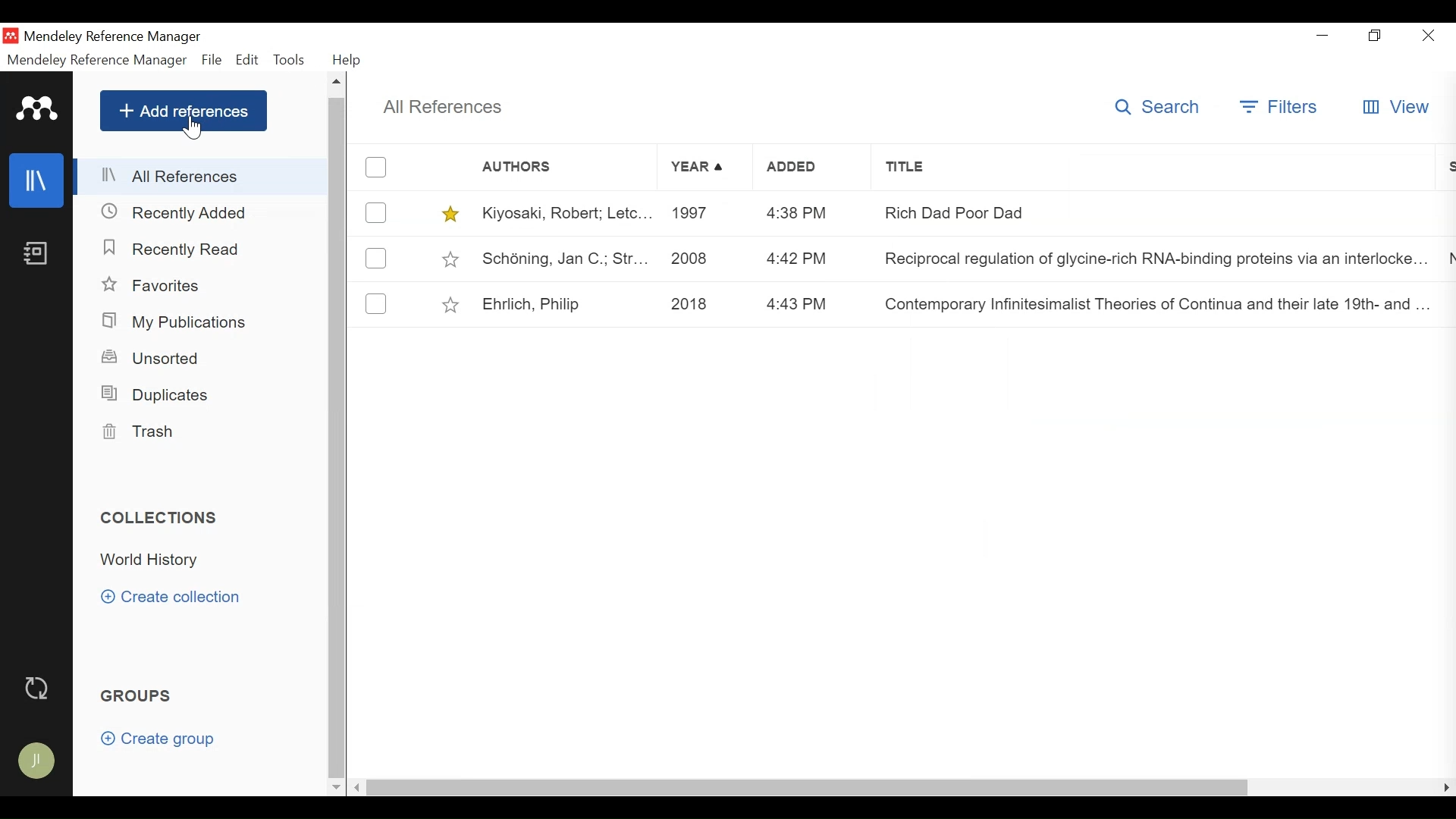 The image size is (1456, 819). What do you see at coordinates (452, 305) in the screenshot?
I see `Toggle favorites` at bounding box center [452, 305].